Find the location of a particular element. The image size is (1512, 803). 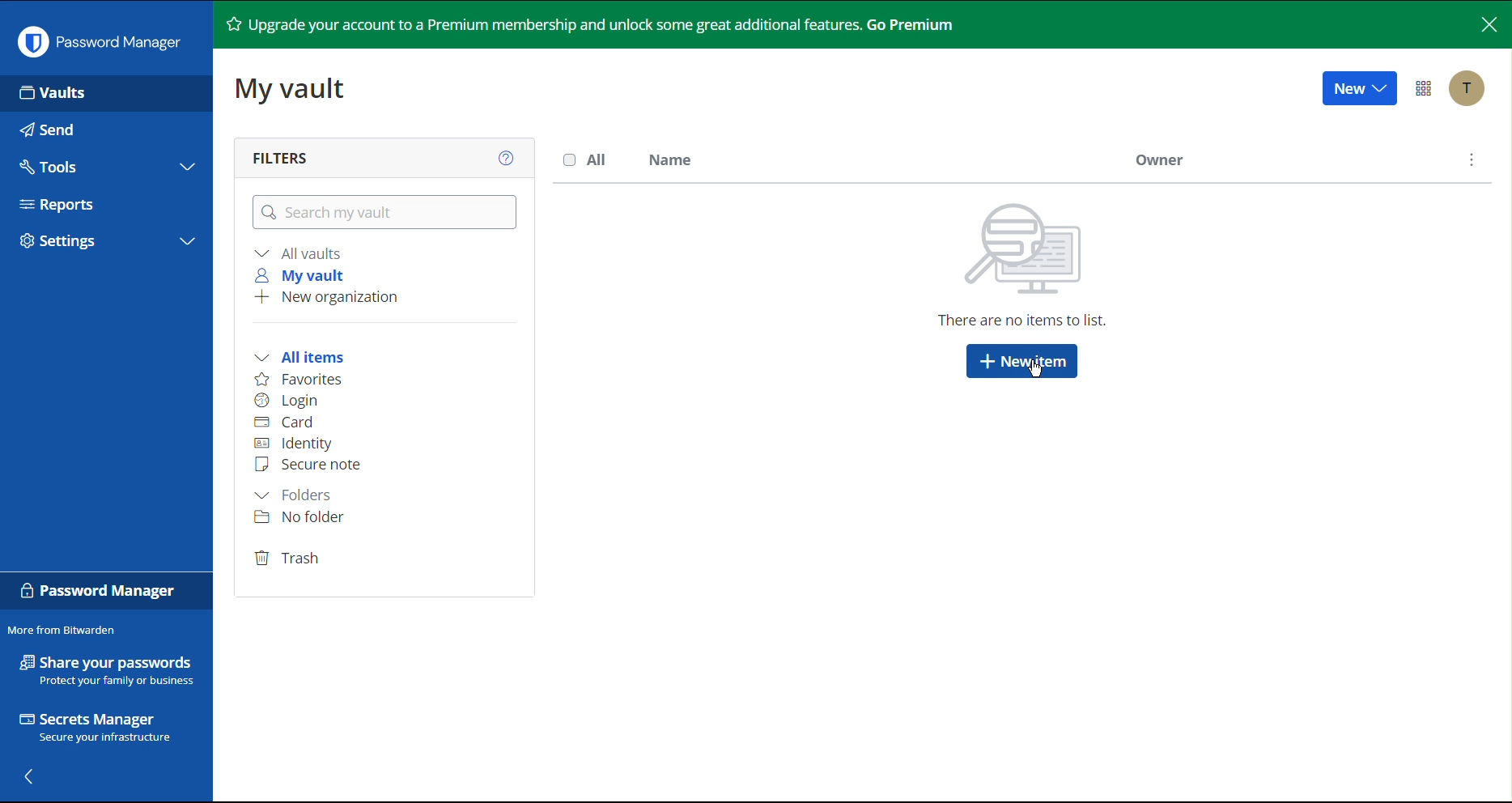

Settings is located at coordinates (101, 242).